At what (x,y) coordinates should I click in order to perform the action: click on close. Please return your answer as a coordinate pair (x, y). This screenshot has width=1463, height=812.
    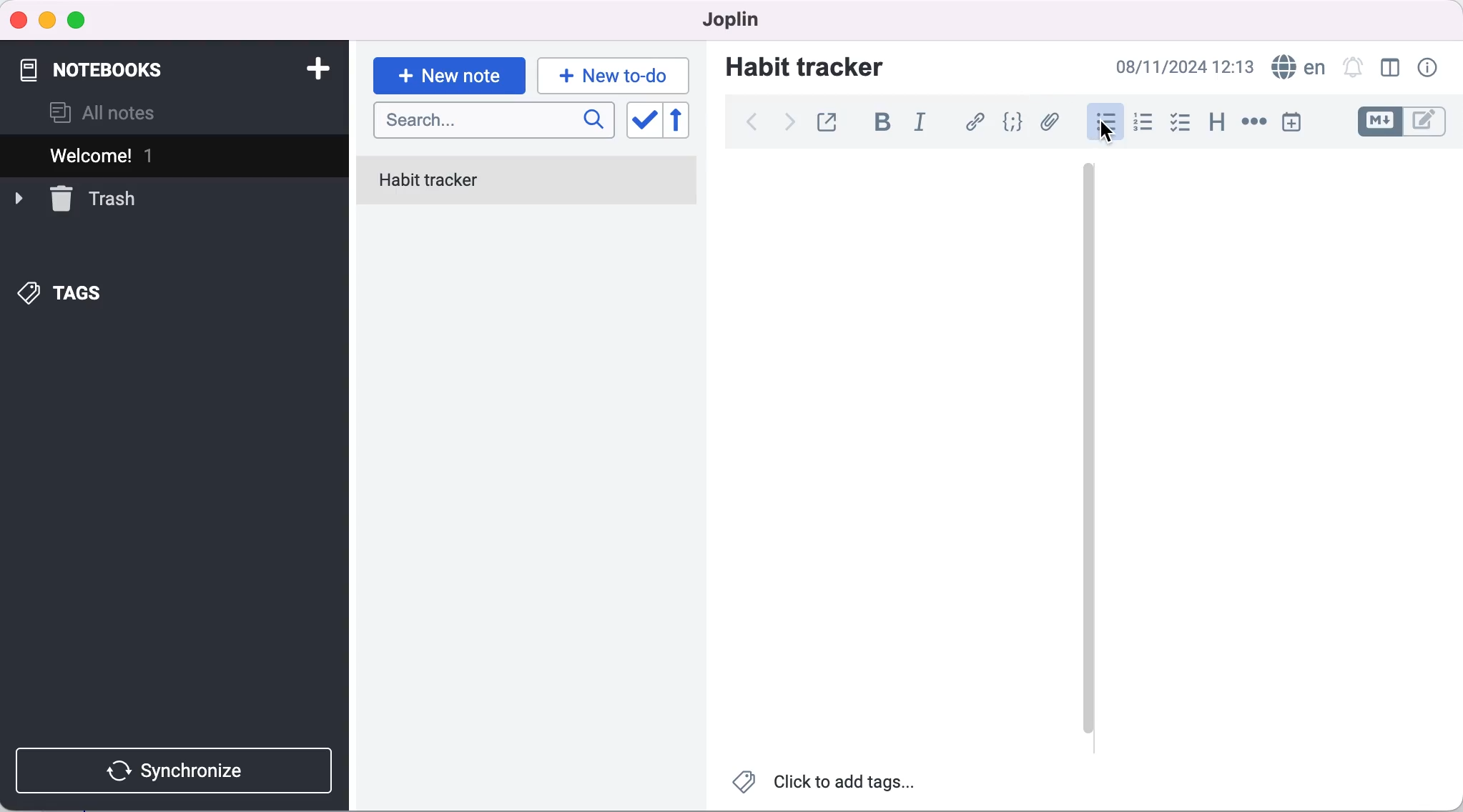
    Looking at the image, I should click on (19, 19).